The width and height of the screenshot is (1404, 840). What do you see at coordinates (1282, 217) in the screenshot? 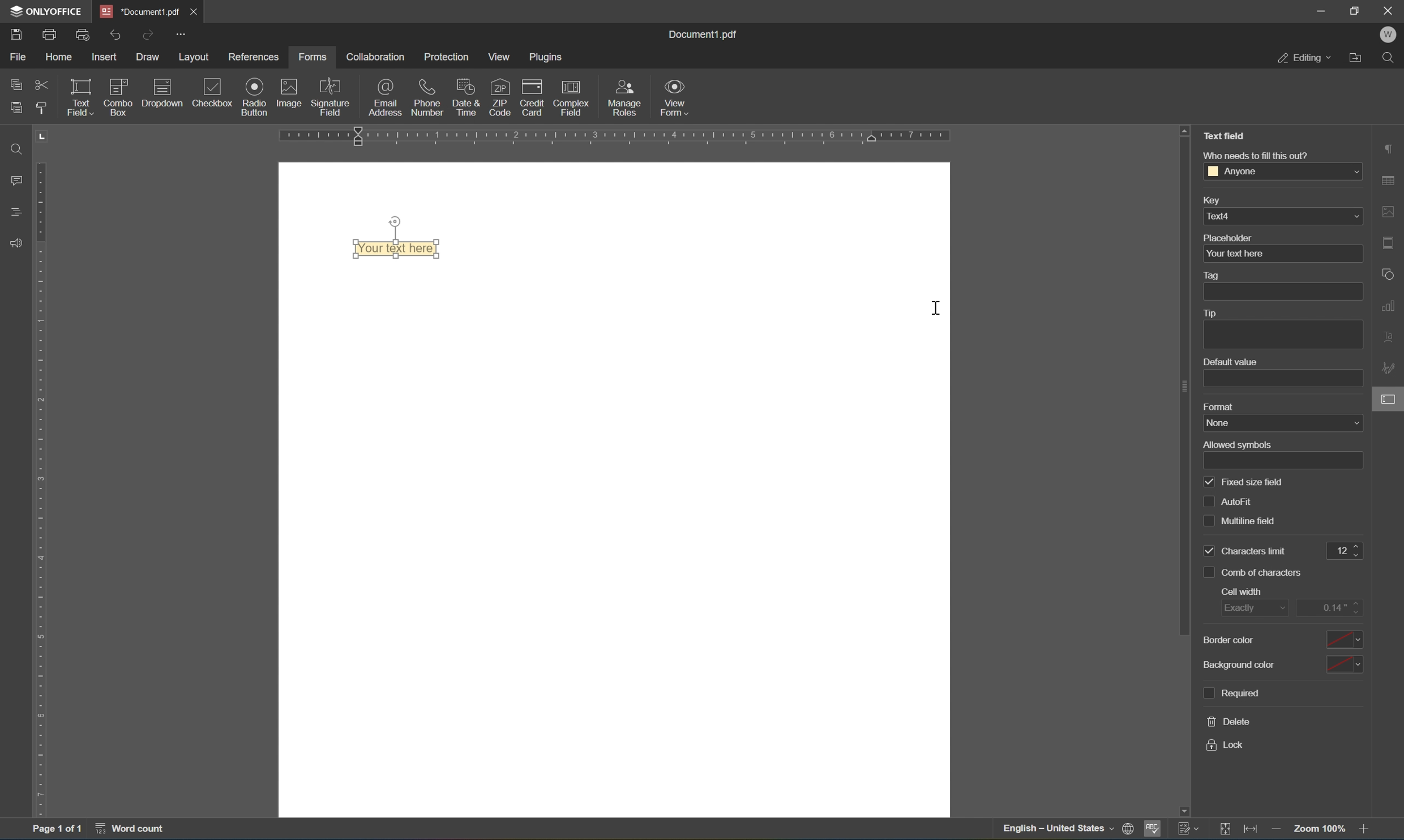
I see `text4` at bounding box center [1282, 217].